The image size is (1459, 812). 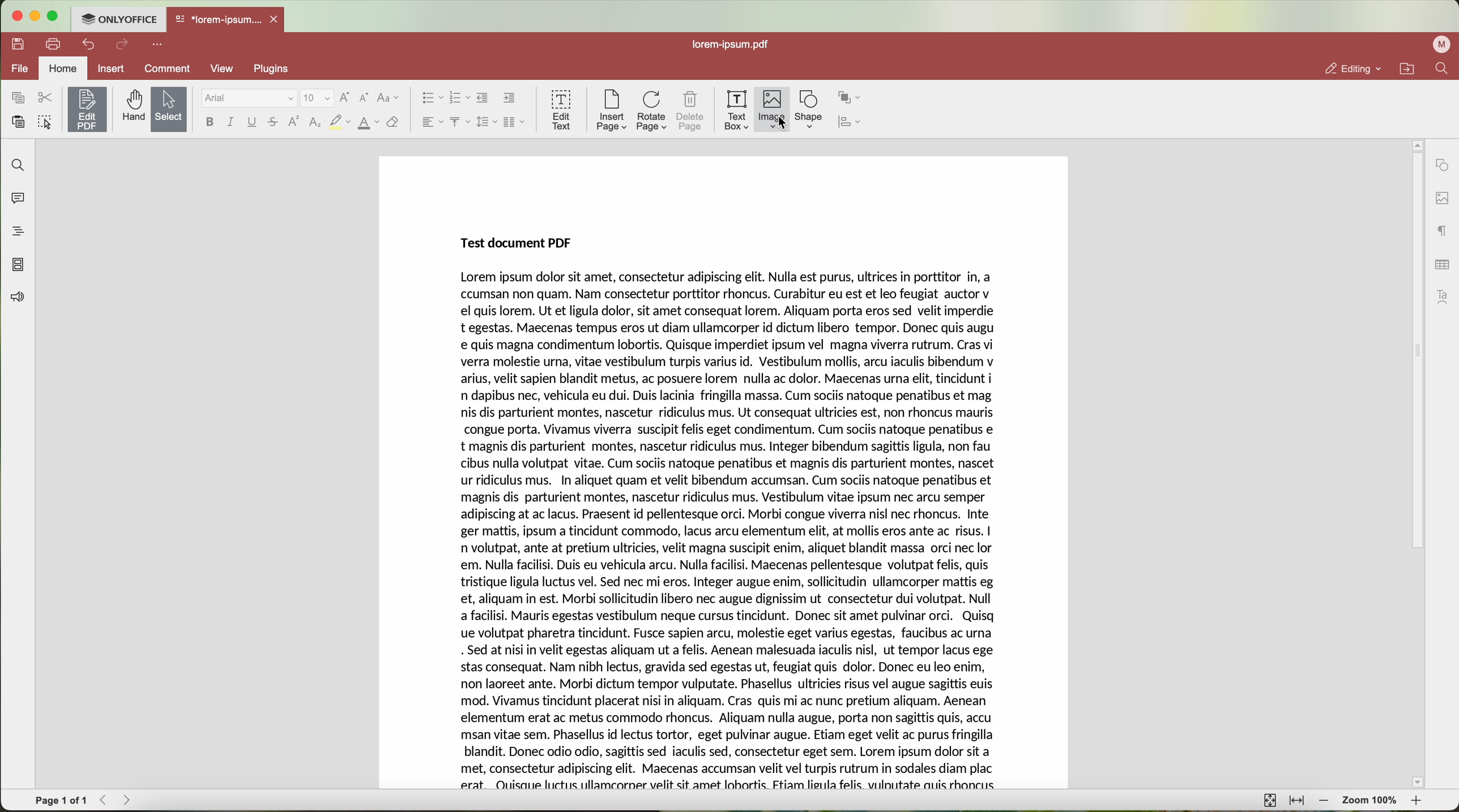 What do you see at coordinates (45, 98) in the screenshot?
I see `cut` at bounding box center [45, 98].